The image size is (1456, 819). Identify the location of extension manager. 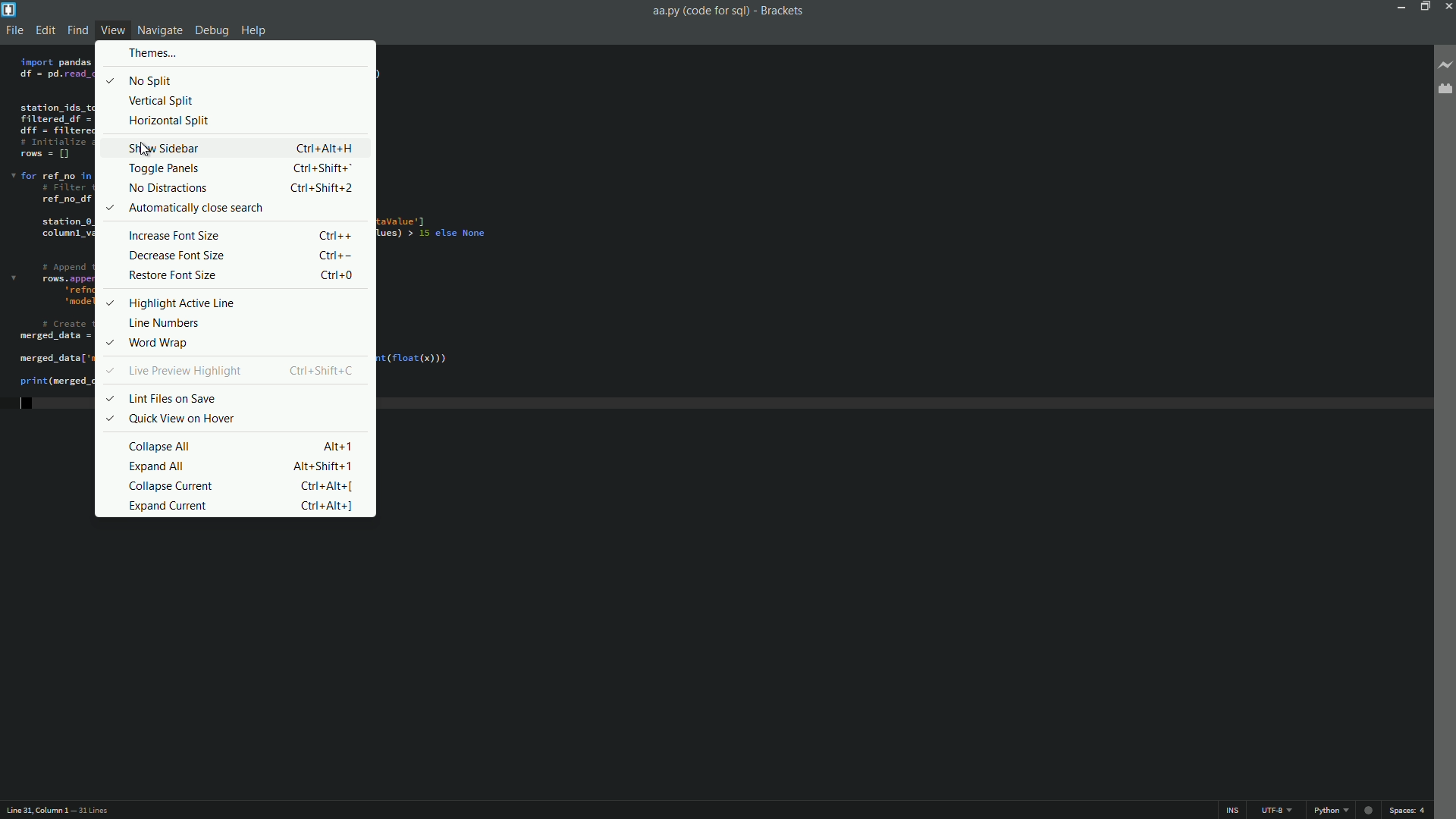
(1444, 89).